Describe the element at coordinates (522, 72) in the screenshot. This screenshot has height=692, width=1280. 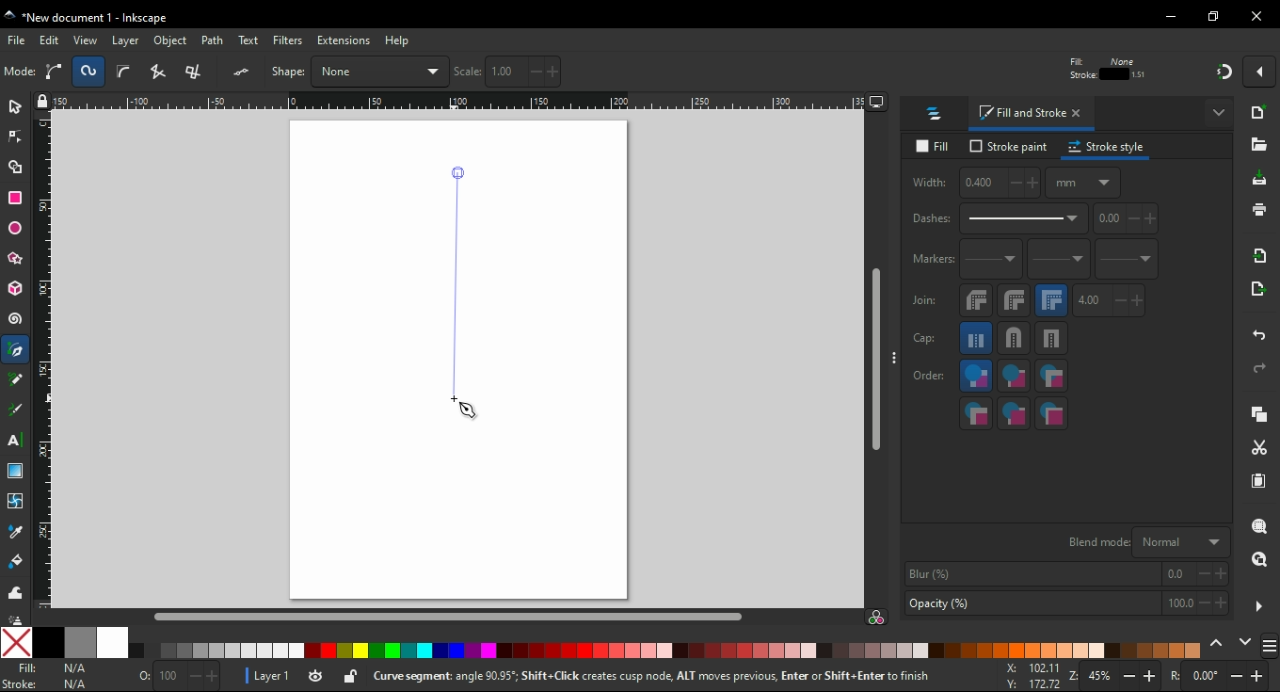
I see `horizontal coordinates` at that location.